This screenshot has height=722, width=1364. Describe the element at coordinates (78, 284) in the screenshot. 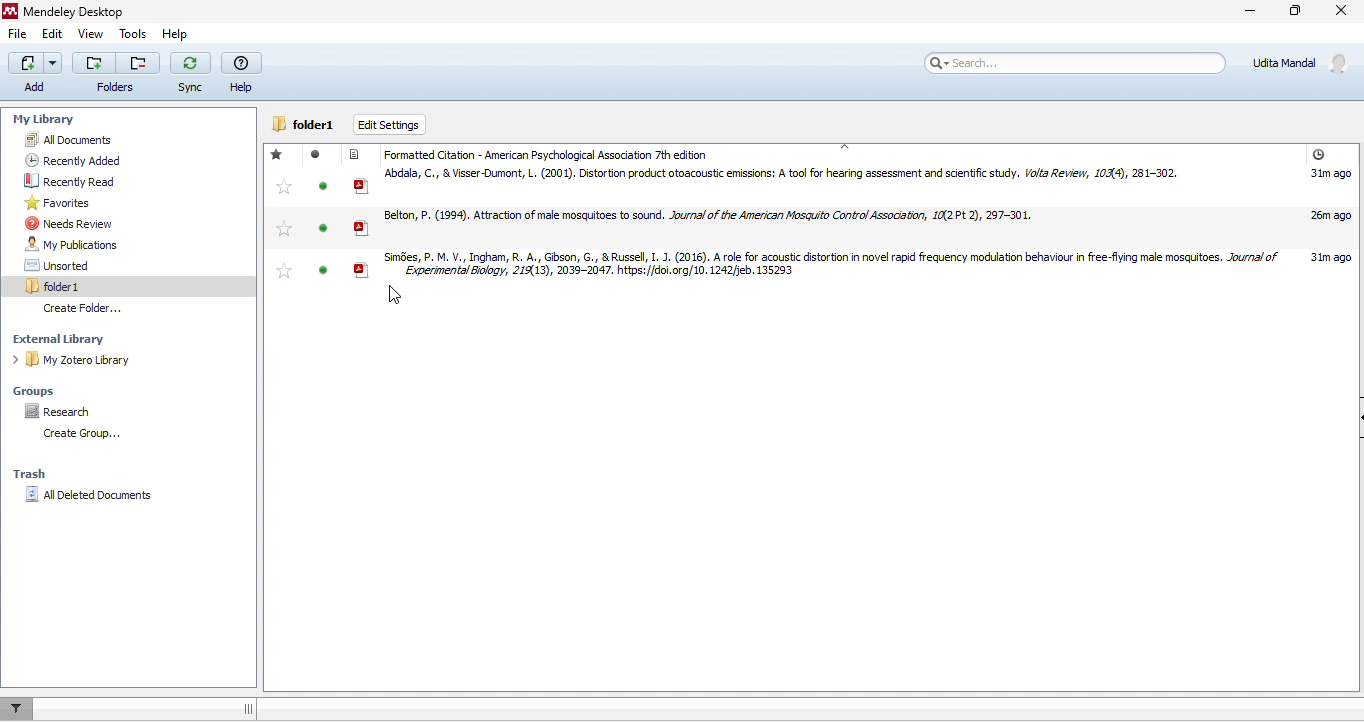

I see `folder1` at that location.